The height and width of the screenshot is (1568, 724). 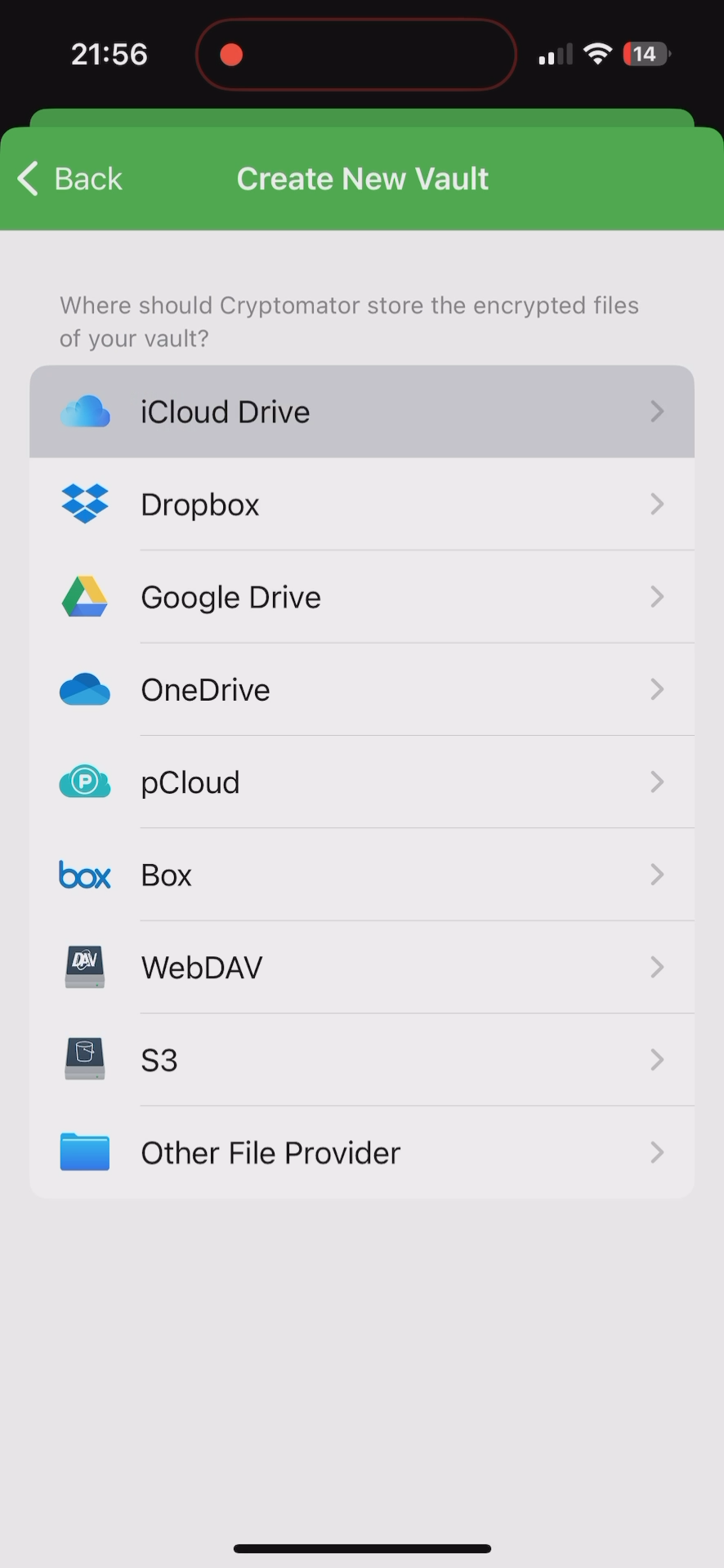 What do you see at coordinates (107, 57) in the screenshot?
I see `21:56` at bounding box center [107, 57].